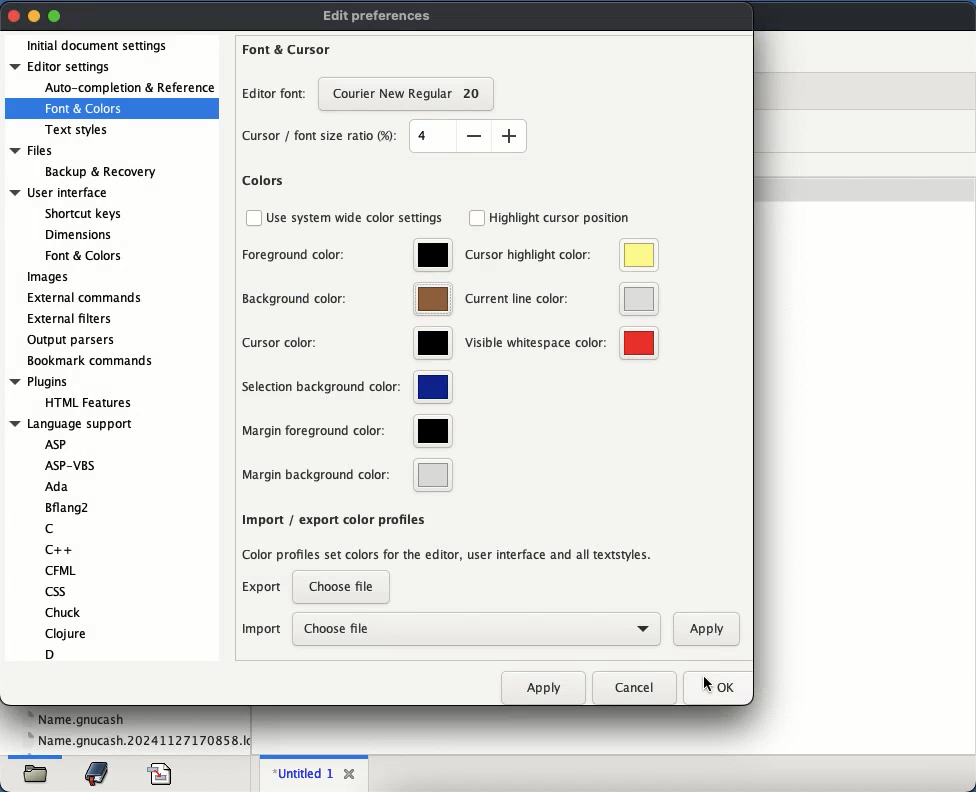  Describe the element at coordinates (65, 634) in the screenshot. I see `Clojure` at that location.